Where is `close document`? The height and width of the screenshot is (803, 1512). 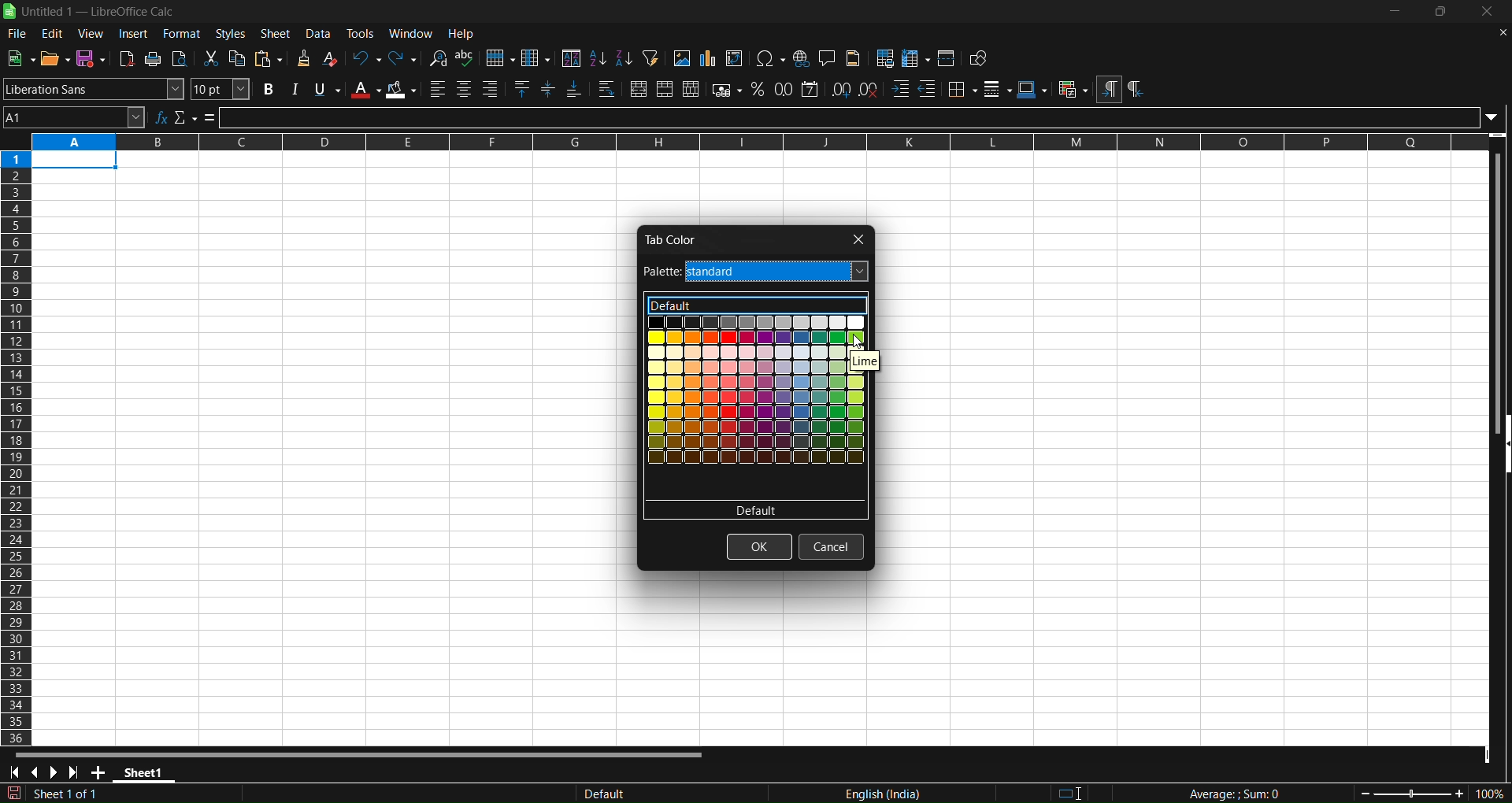 close document is located at coordinates (1499, 31).